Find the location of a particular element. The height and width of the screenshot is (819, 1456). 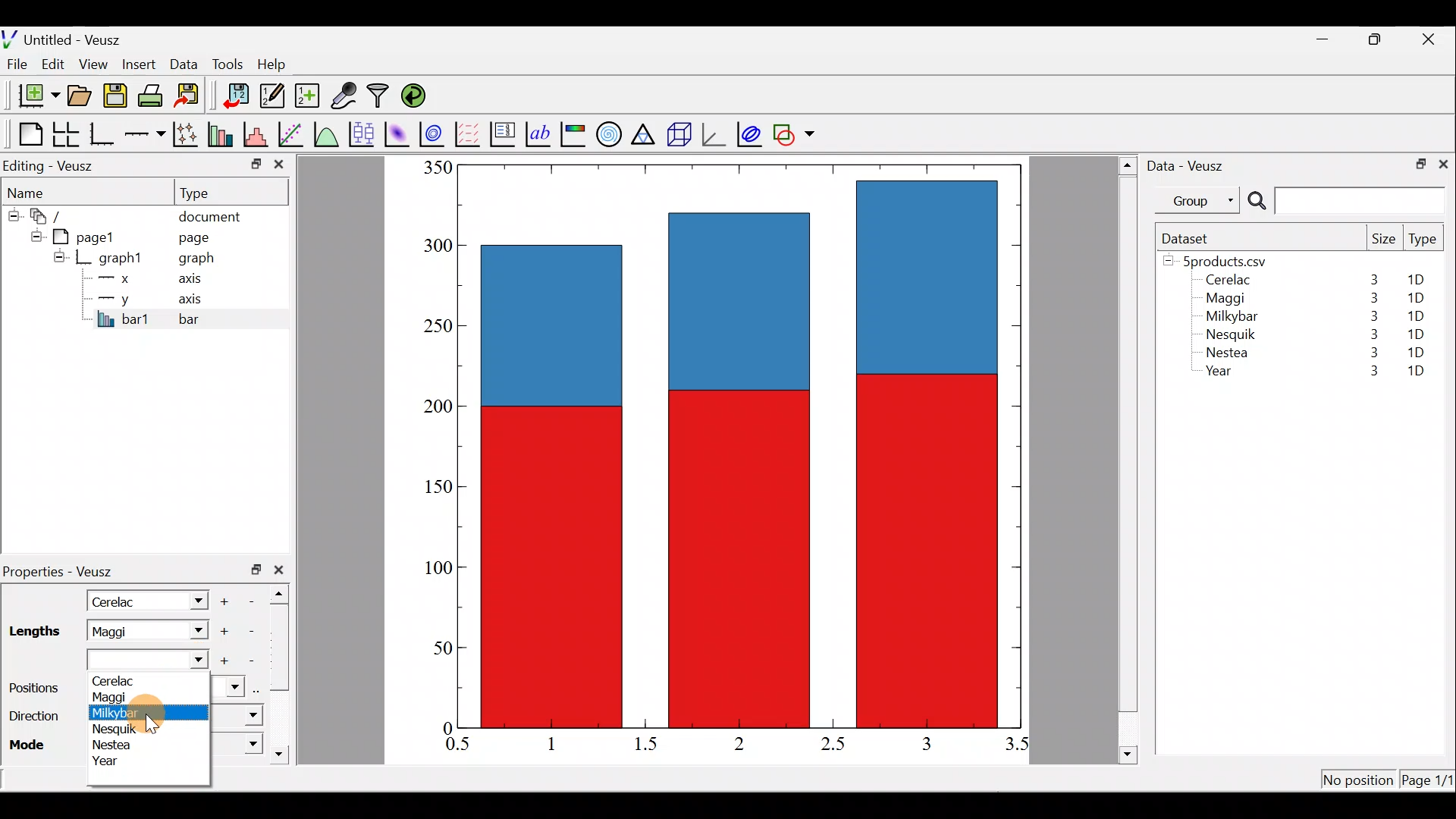

Year is located at coordinates (1222, 375).